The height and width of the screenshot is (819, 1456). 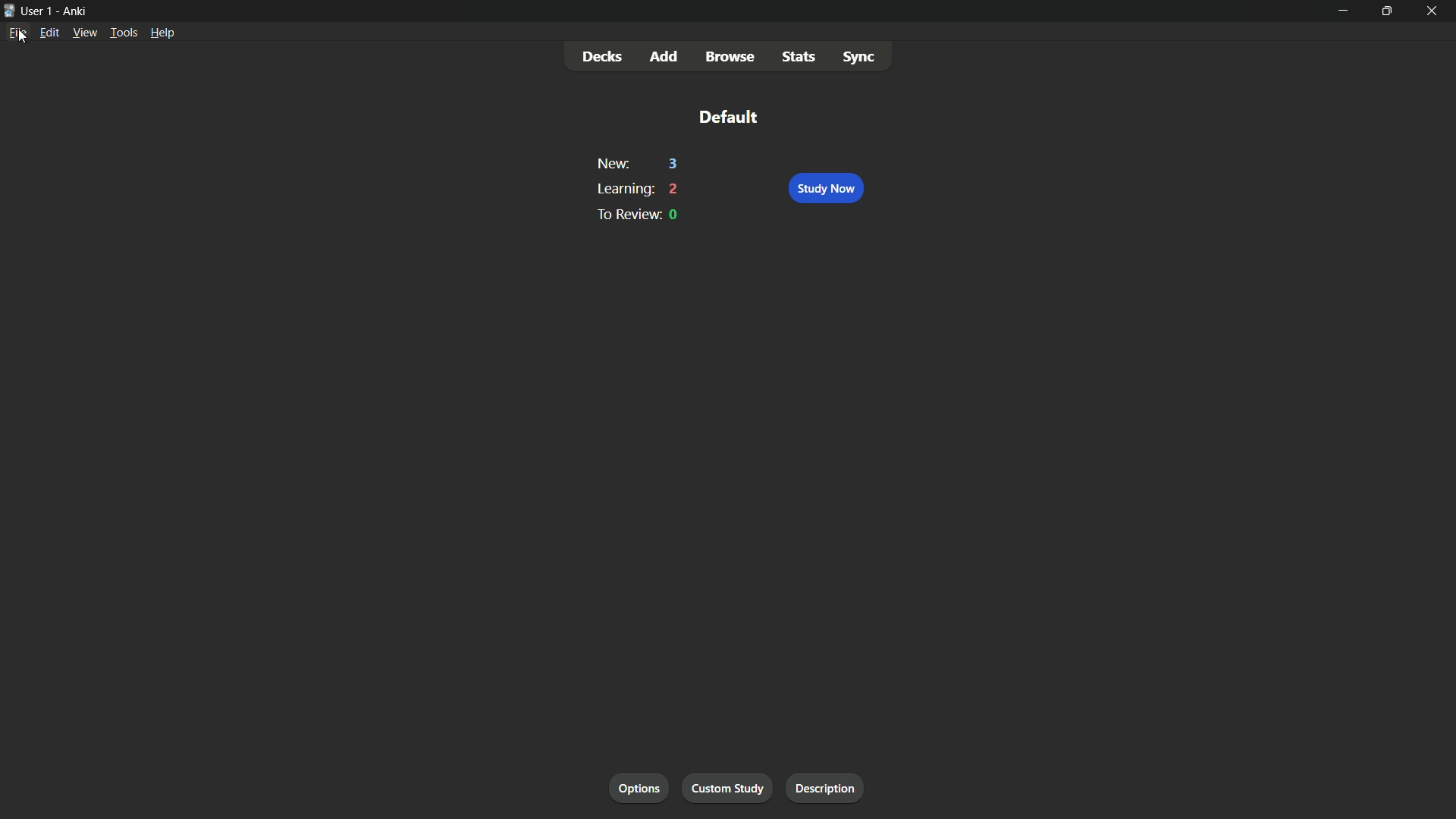 What do you see at coordinates (675, 215) in the screenshot?
I see `0` at bounding box center [675, 215].